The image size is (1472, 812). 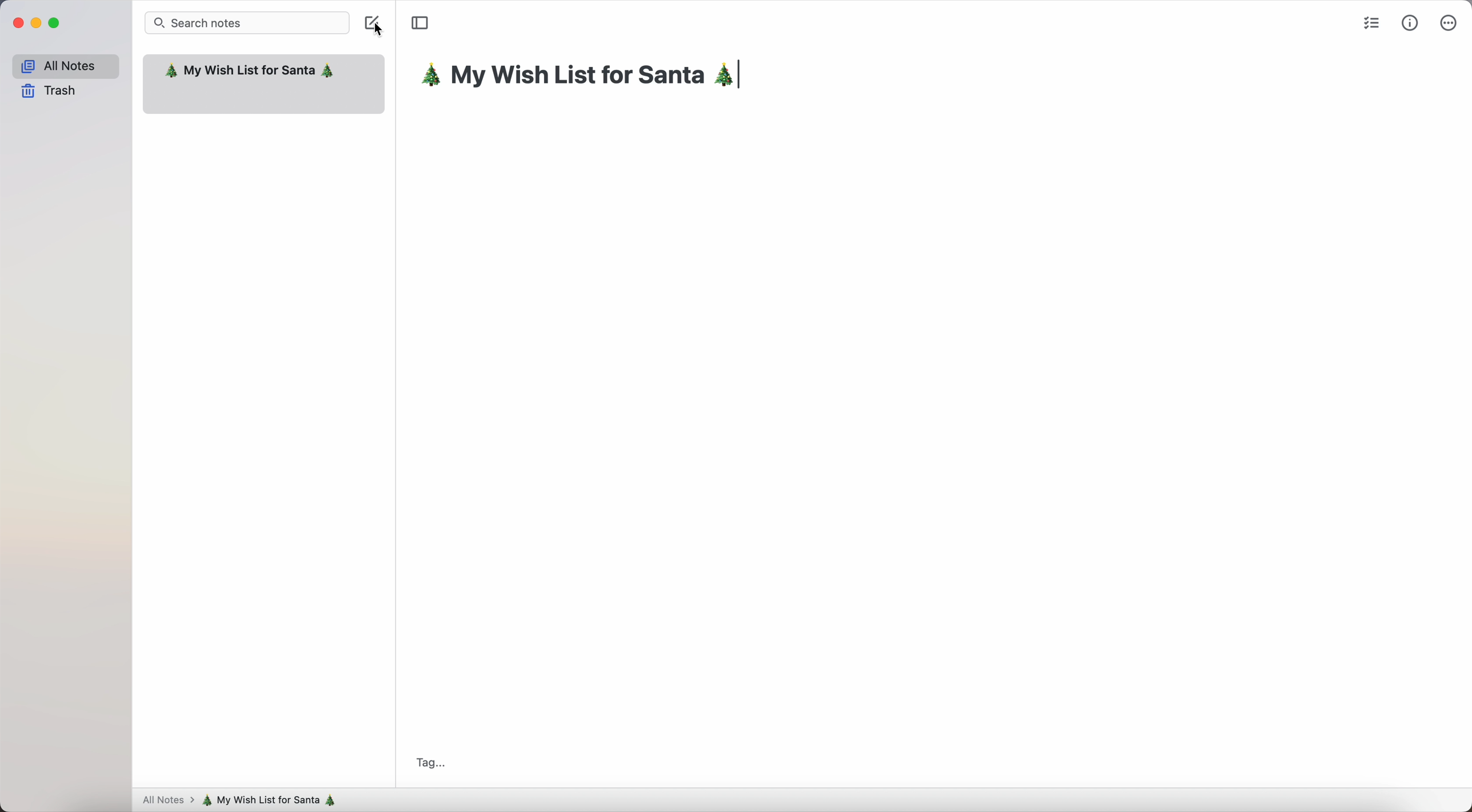 I want to click on search bar, so click(x=247, y=22).